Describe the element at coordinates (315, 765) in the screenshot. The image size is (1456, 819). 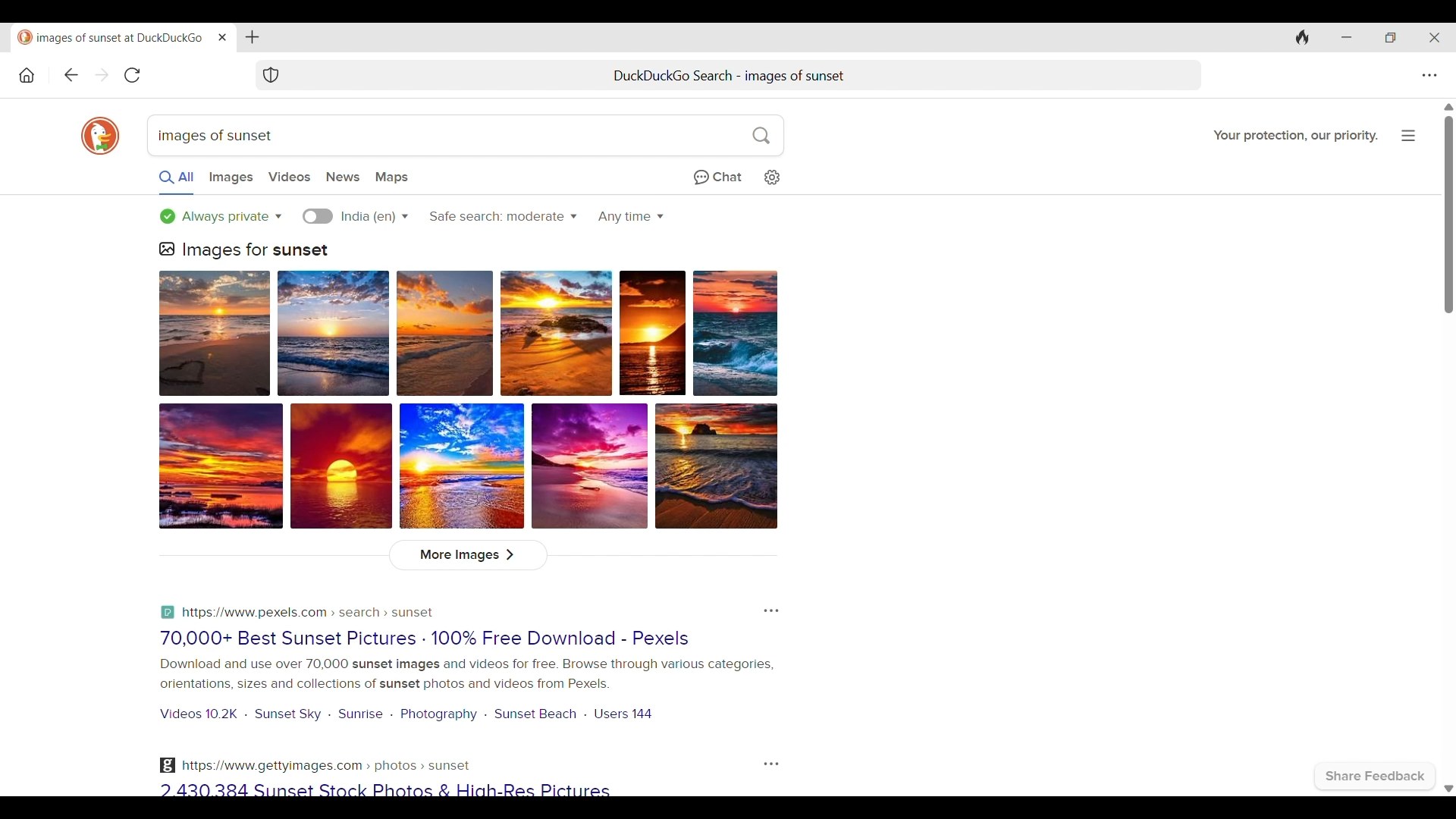
I see `https:\\gettyimages.com > photos > sunset` at that location.